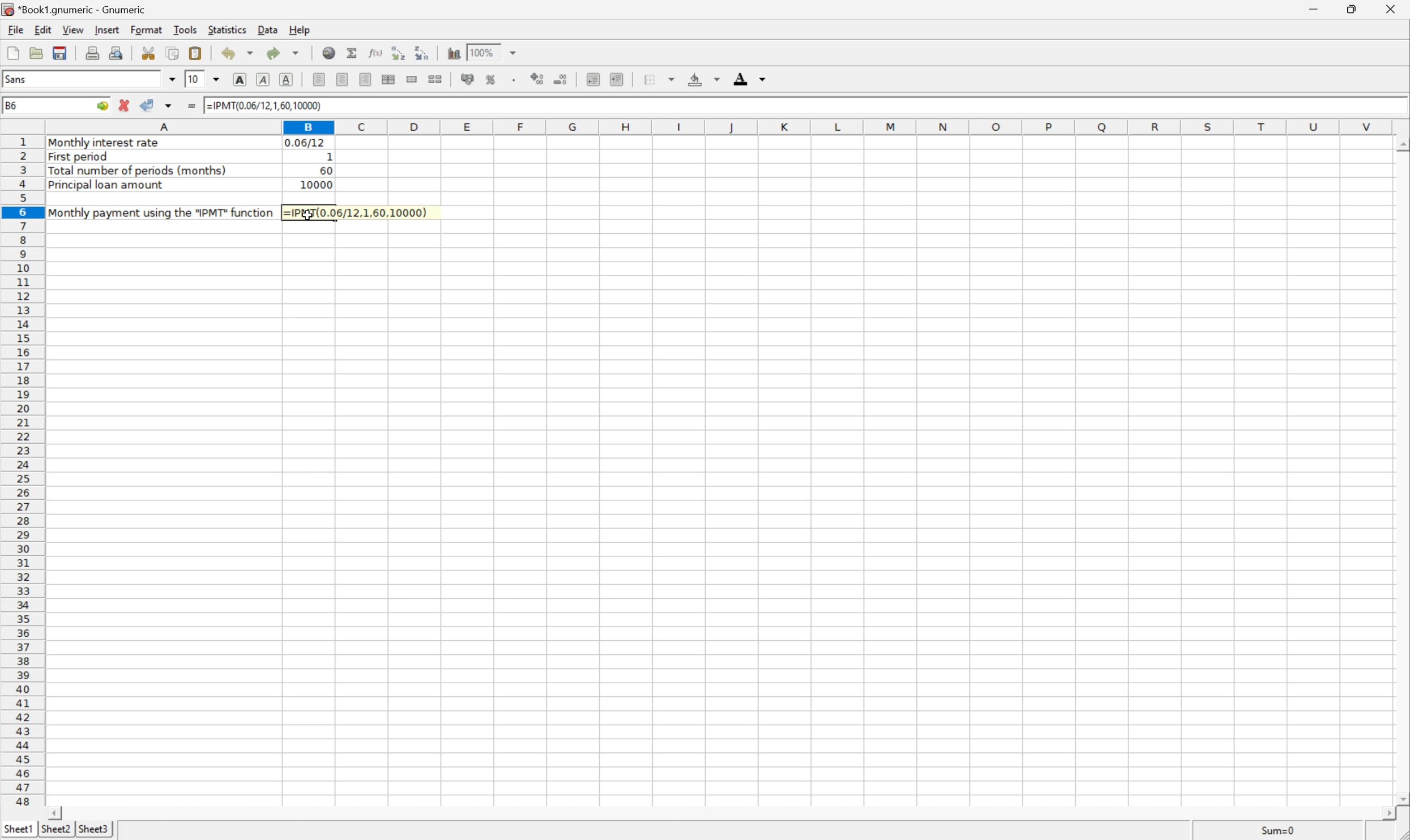 The image size is (1410, 840). What do you see at coordinates (422, 53) in the screenshot?
I see `Sort the selected region in descending order based on the first column selected` at bounding box center [422, 53].